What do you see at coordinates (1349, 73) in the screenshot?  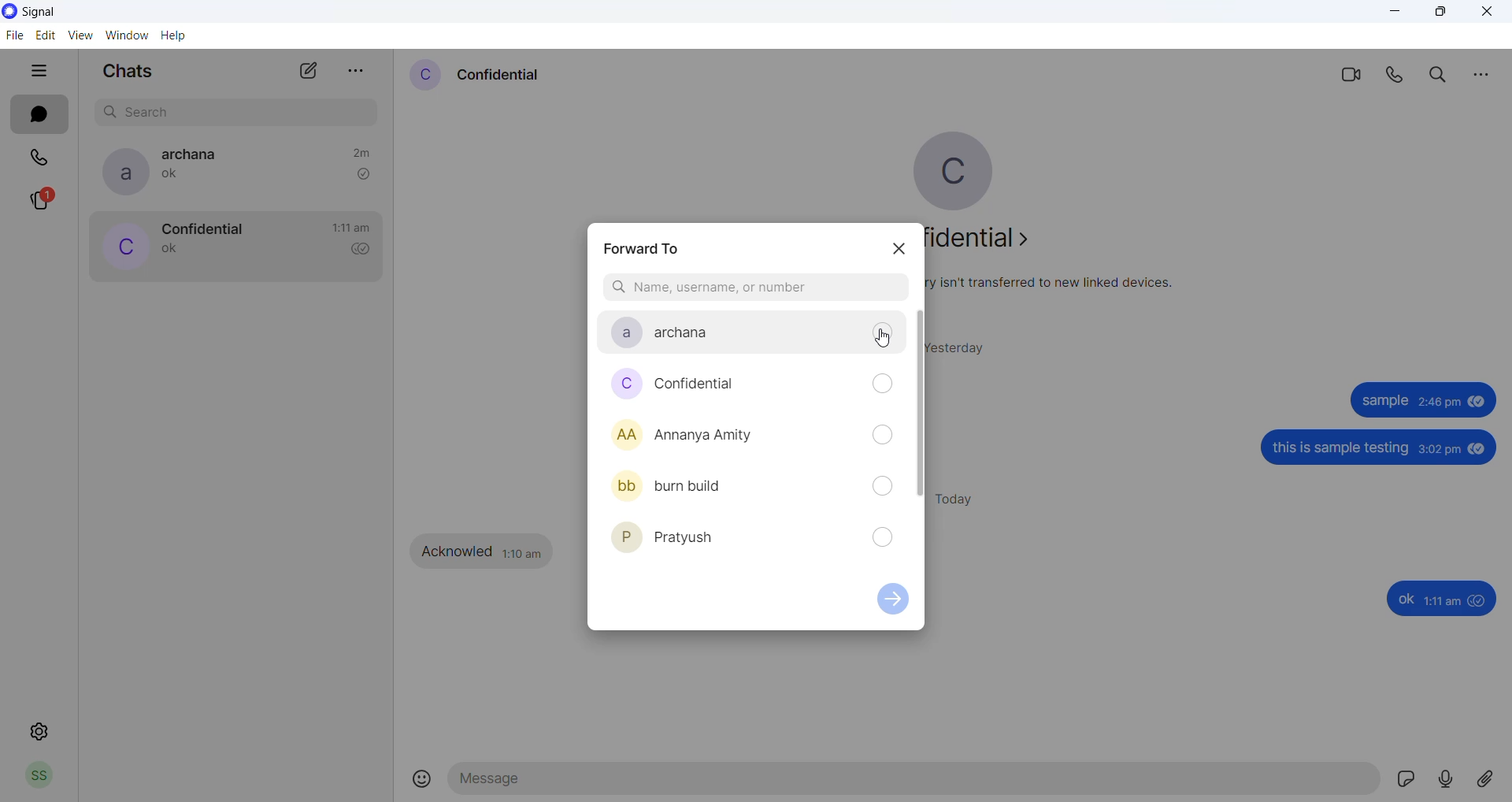 I see `video call` at bounding box center [1349, 73].